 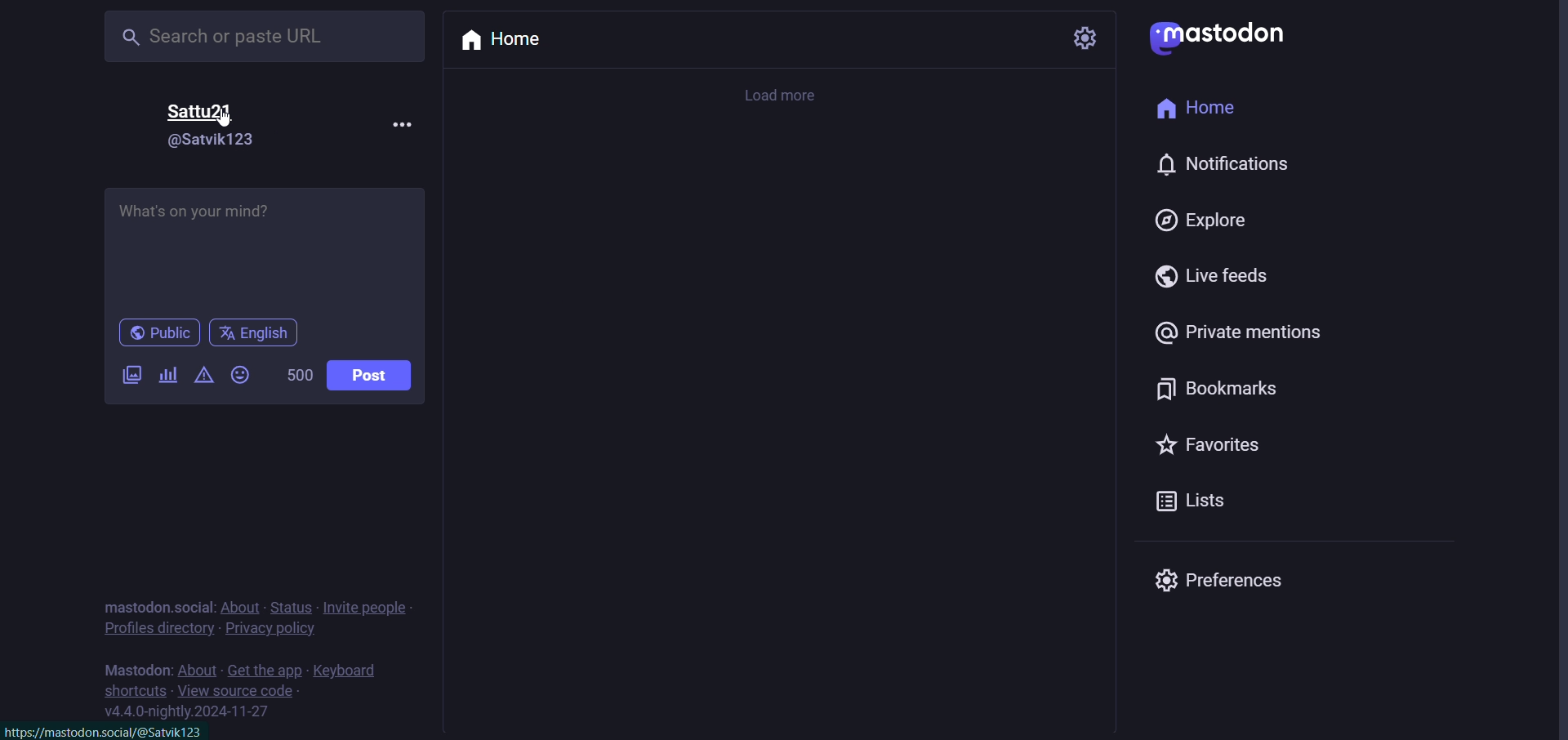 I want to click on invite people, so click(x=366, y=606).